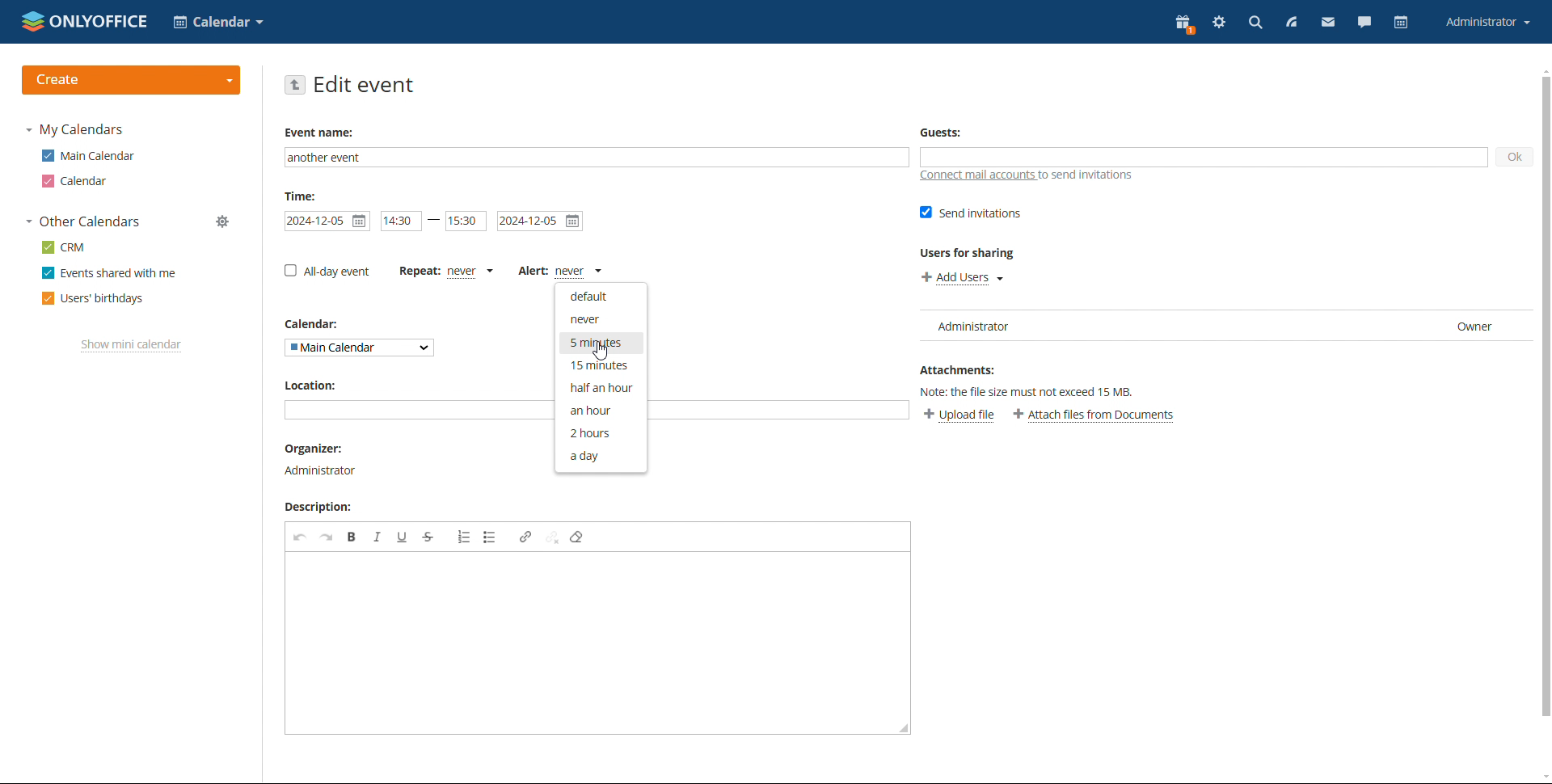 The image size is (1552, 784). Describe the element at coordinates (1364, 24) in the screenshot. I see `chat` at that location.